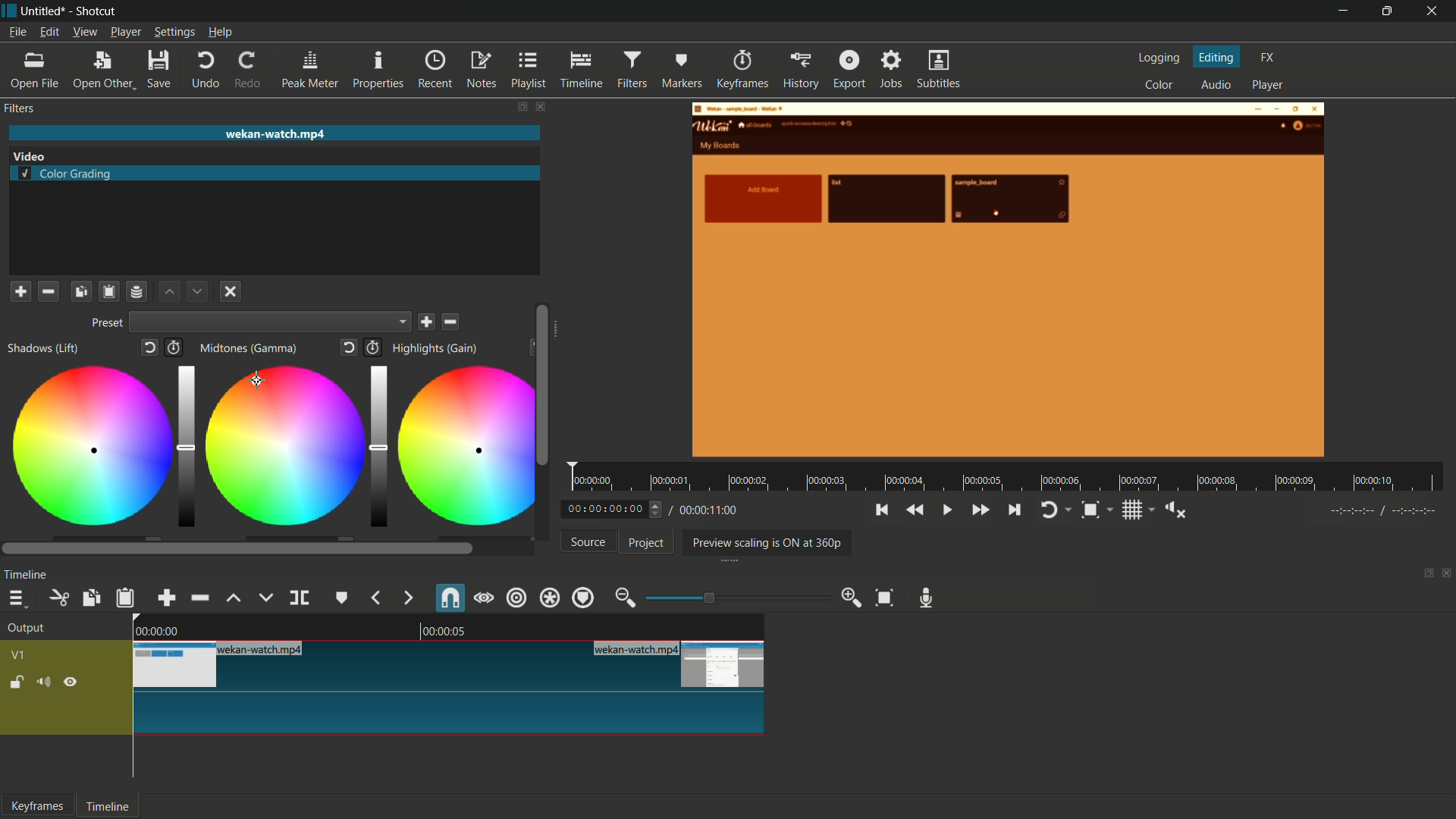 Image resolution: width=1456 pixels, height=819 pixels. Describe the element at coordinates (927, 598) in the screenshot. I see `record audio` at that location.